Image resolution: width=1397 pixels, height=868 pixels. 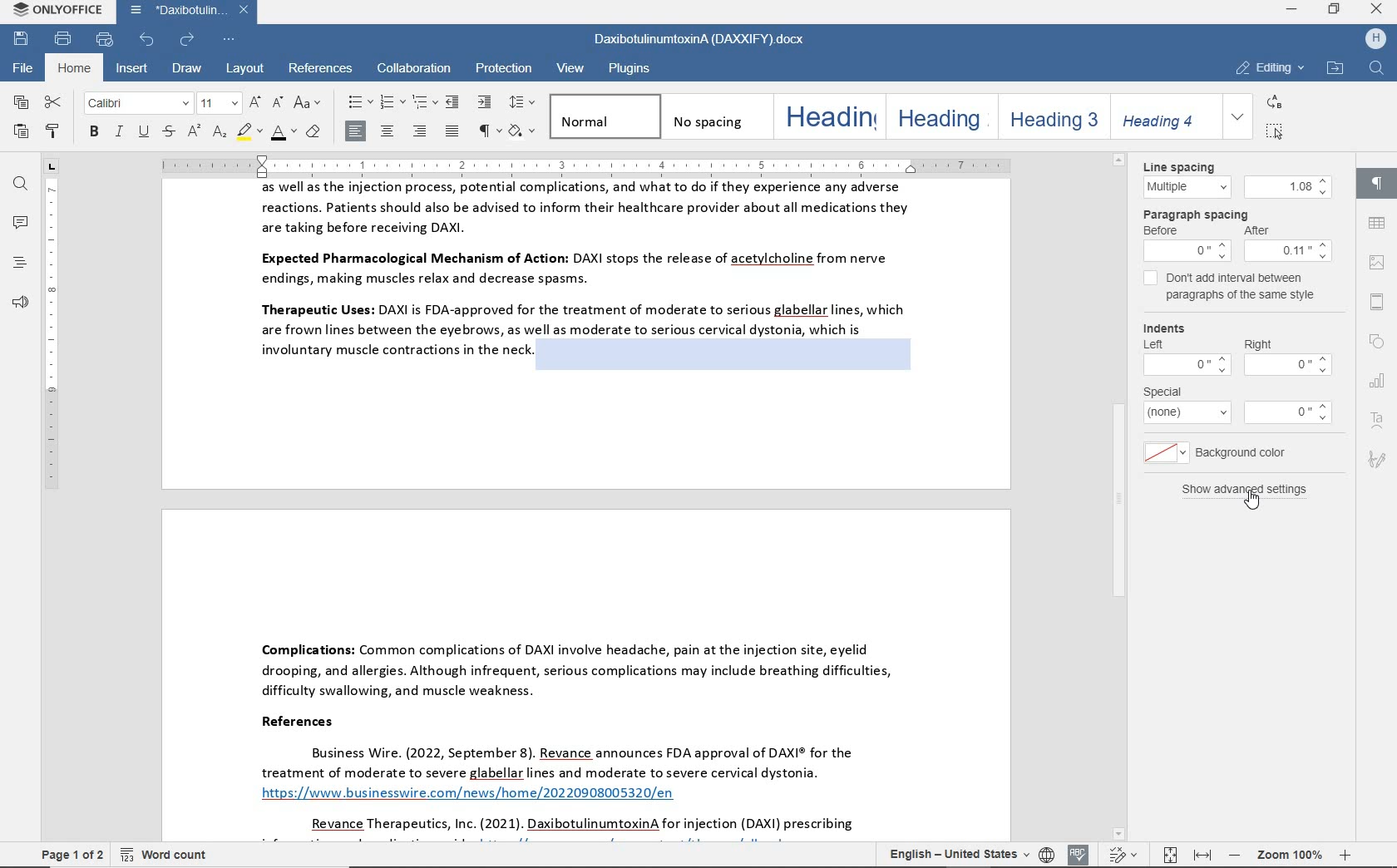 What do you see at coordinates (1270, 68) in the screenshot?
I see `editing` at bounding box center [1270, 68].